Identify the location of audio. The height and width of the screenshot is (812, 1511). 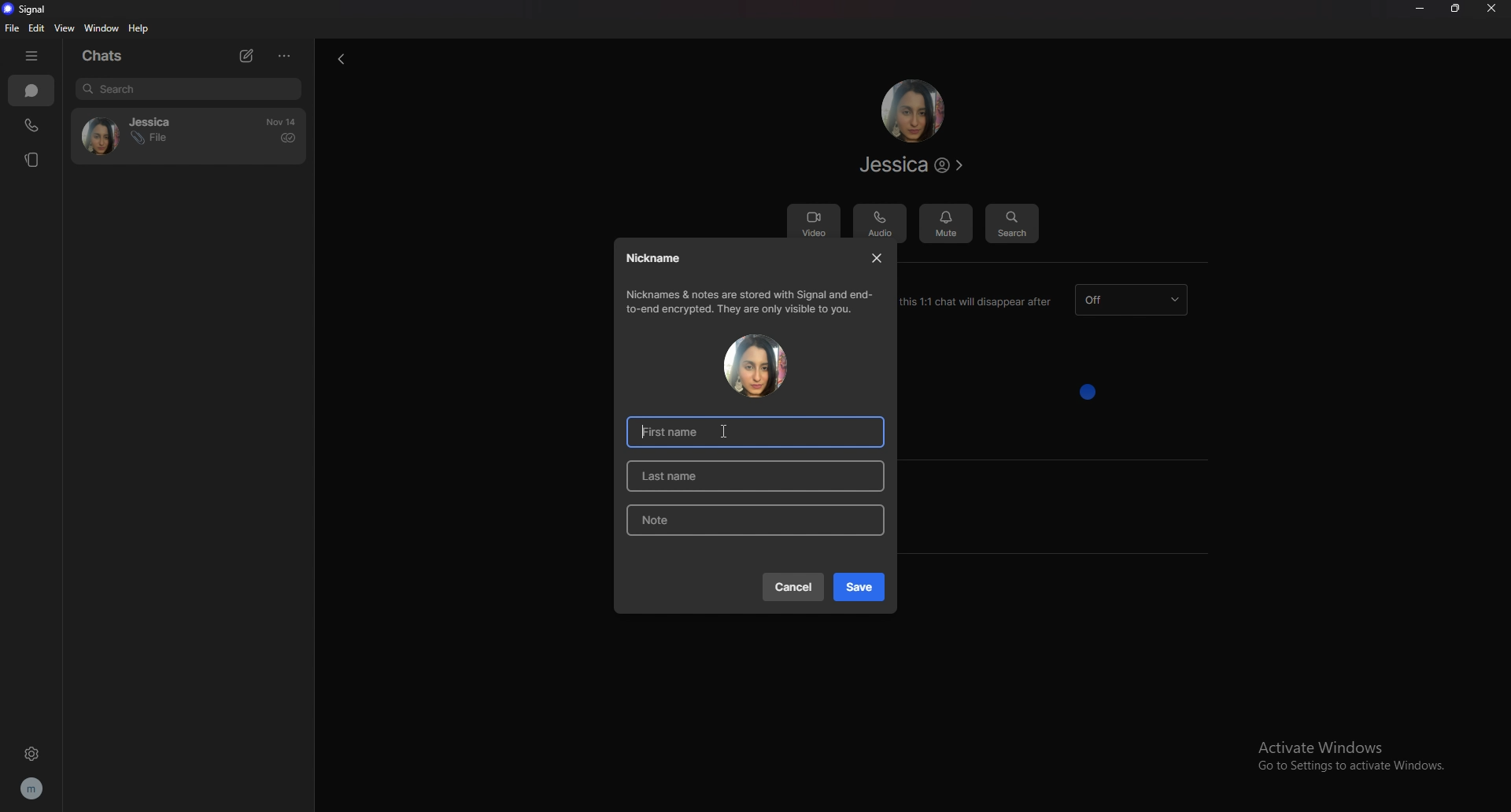
(879, 224).